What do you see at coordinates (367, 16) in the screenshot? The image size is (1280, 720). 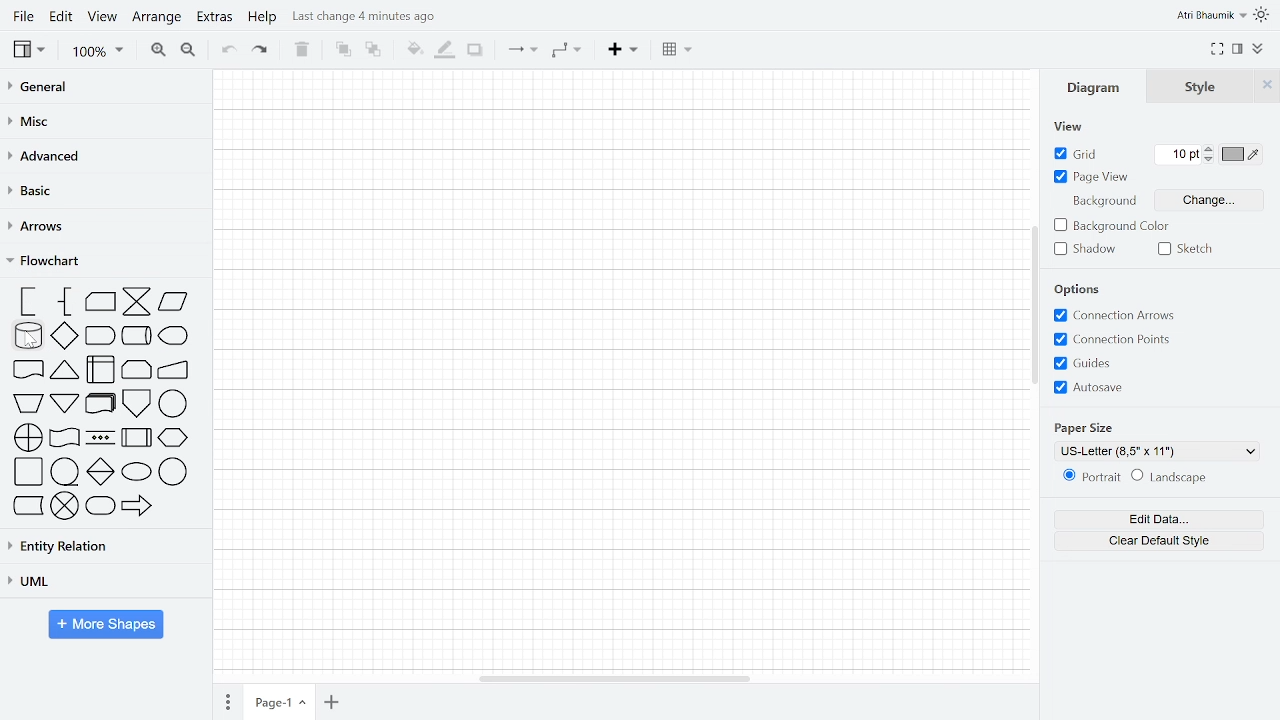 I see `Saving location` at bounding box center [367, 16].